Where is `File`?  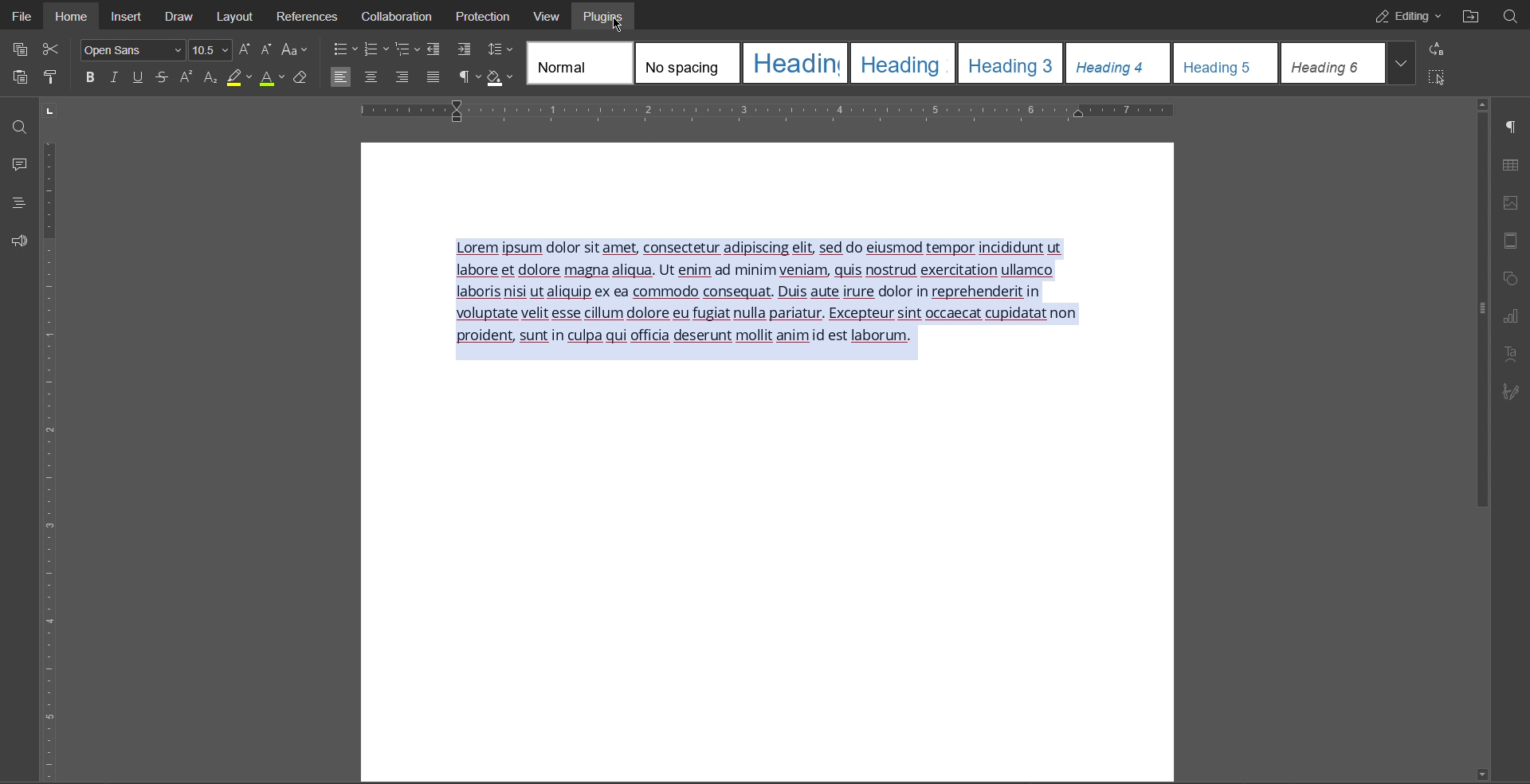 File is located at coordinates (21, 16).